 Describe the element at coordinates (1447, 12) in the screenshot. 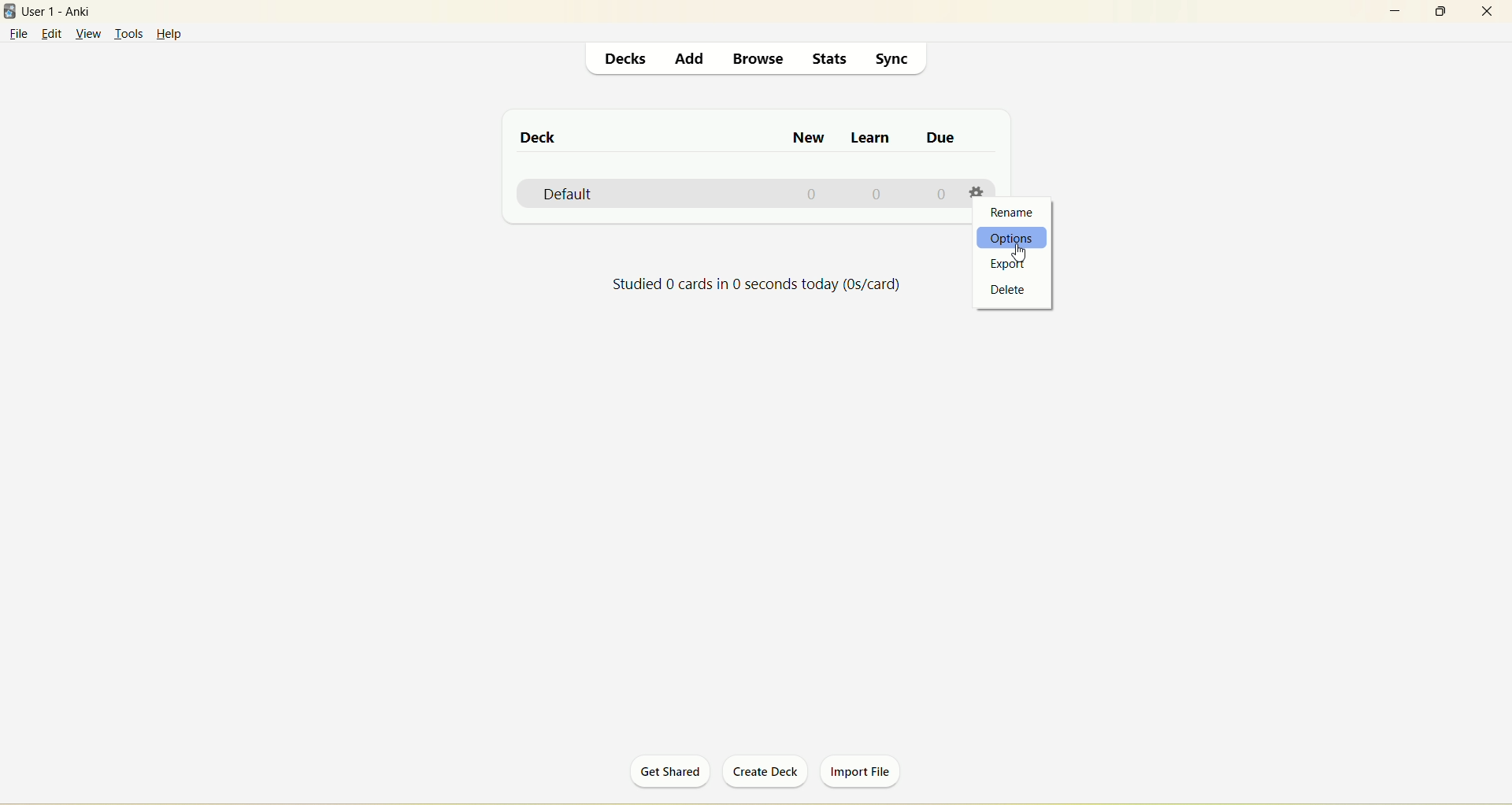

I see `maximize` at that location.